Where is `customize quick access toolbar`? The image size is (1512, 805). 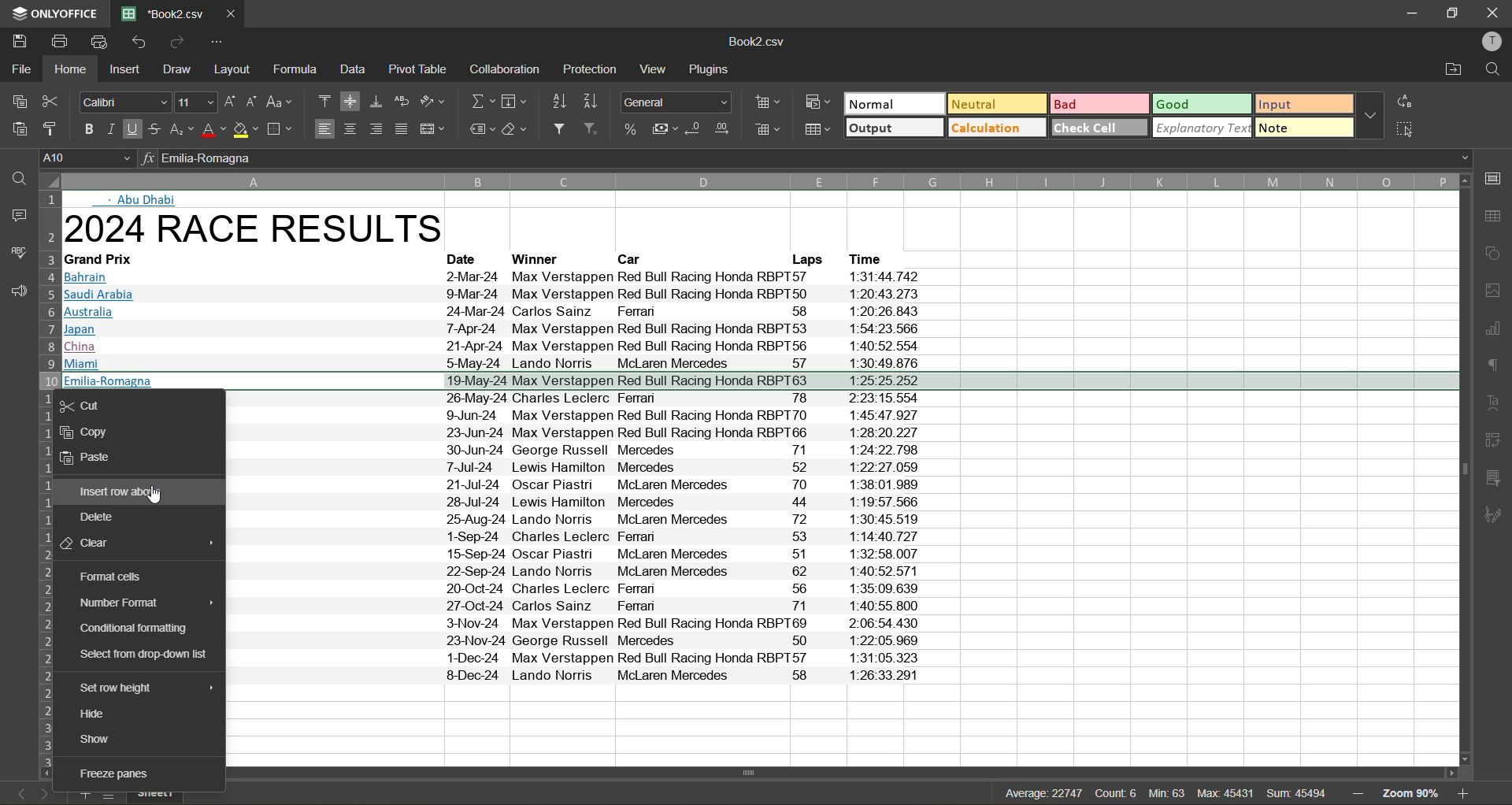 customize quick access toolbar is located at coordinates (218, 43).